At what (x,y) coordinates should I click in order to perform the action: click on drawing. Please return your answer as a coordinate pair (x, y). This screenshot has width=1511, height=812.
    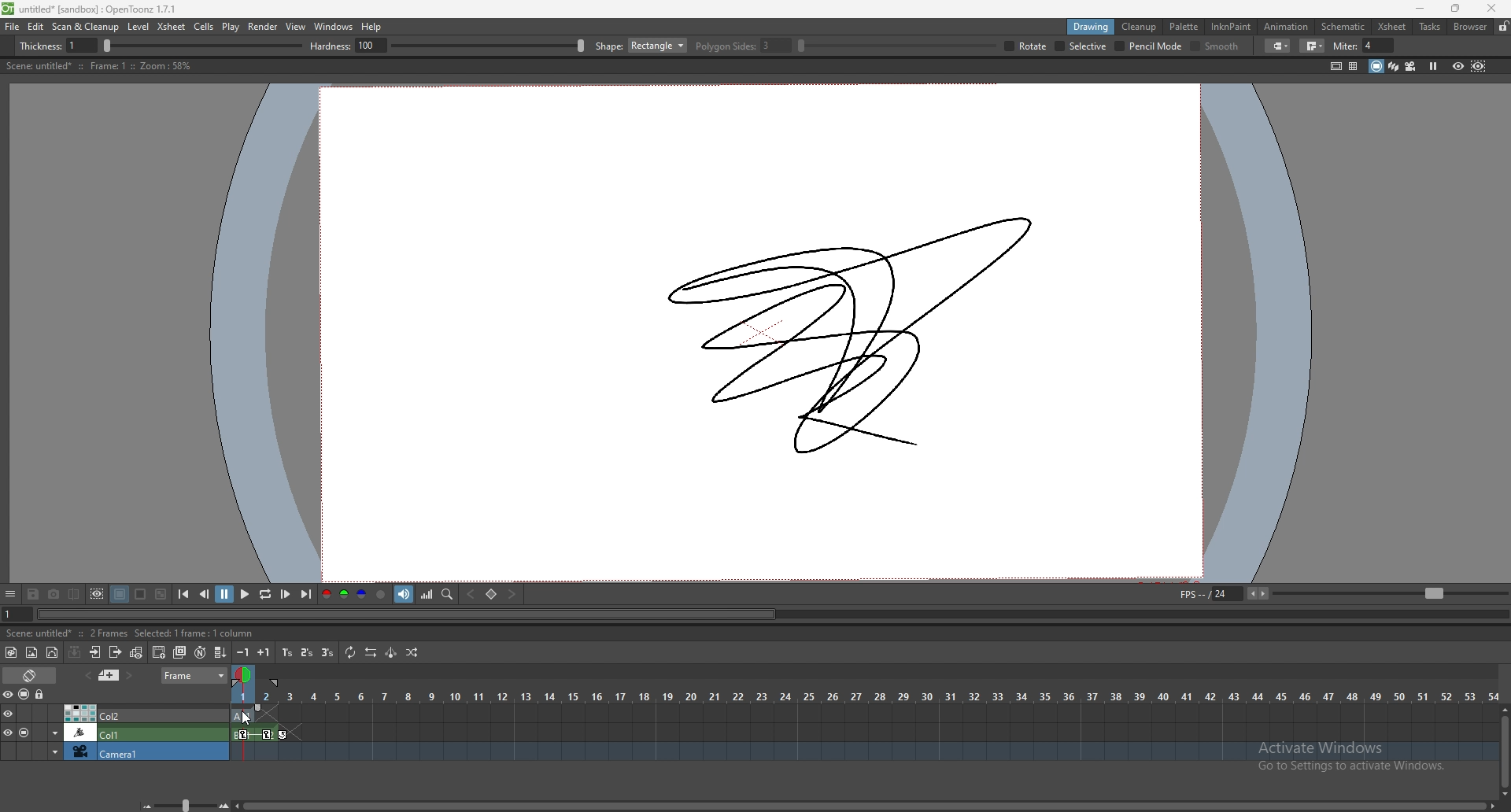
    Looking at the image, I should click on (865, 331).